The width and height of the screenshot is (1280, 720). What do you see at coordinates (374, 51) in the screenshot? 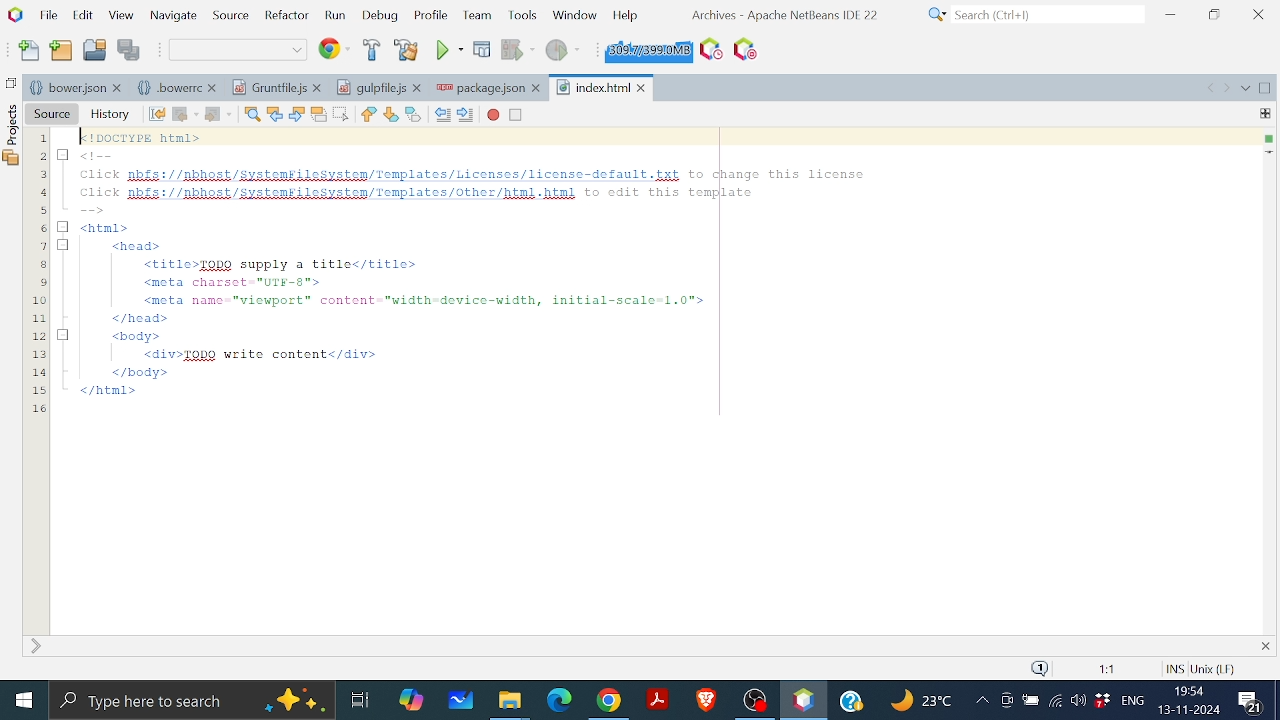
I see `Build project` at bounding box center [374, 51].